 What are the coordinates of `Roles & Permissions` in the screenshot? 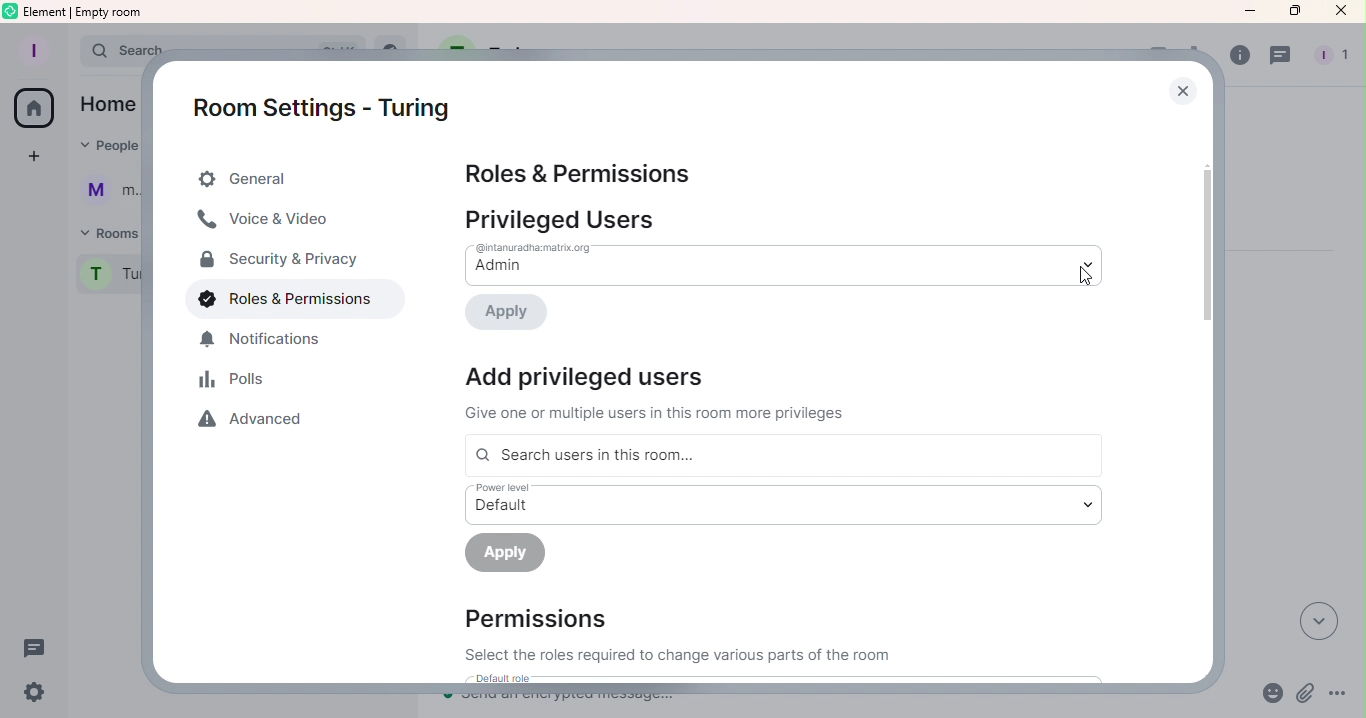 It's located at (279, 300).